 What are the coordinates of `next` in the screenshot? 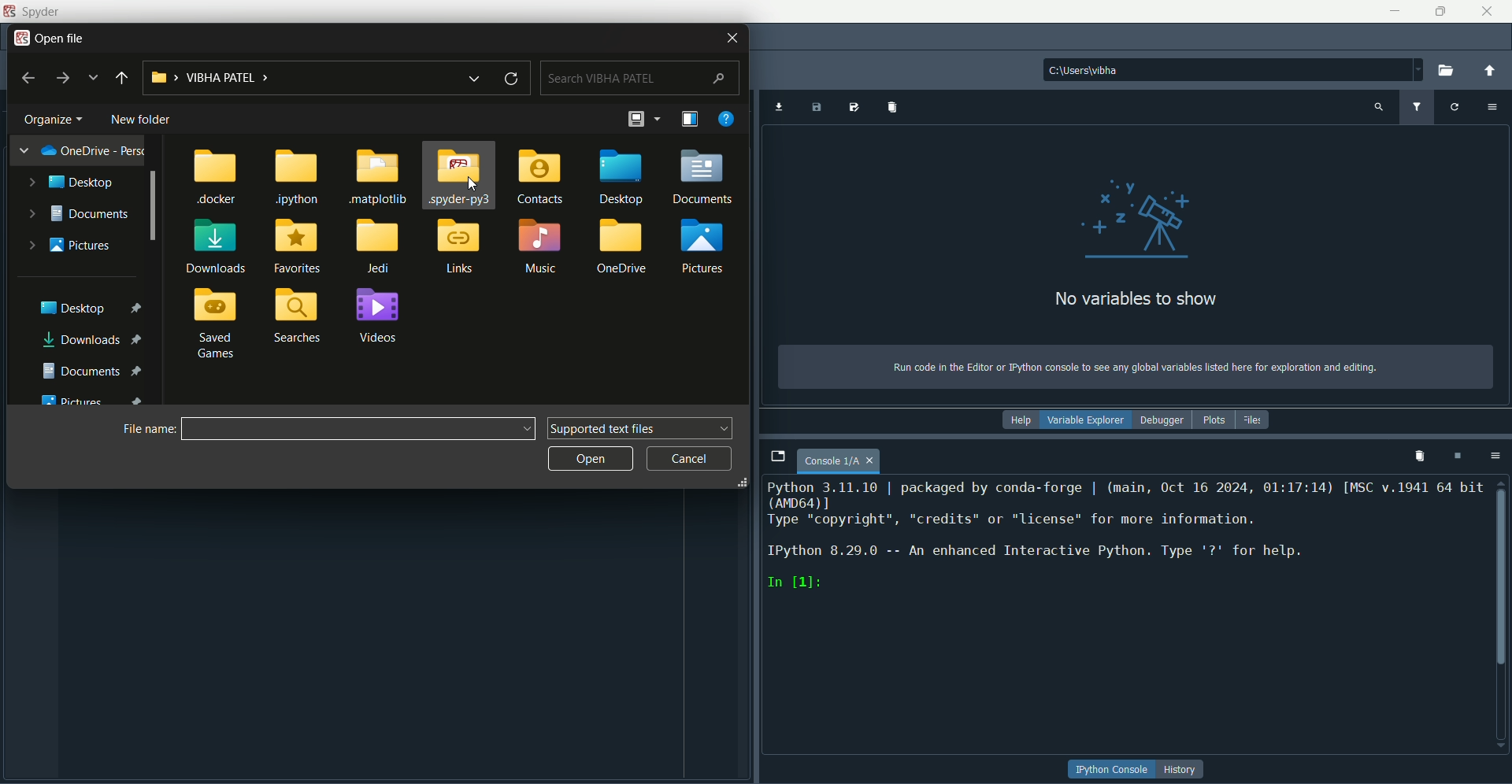 It's located at (62, 79).